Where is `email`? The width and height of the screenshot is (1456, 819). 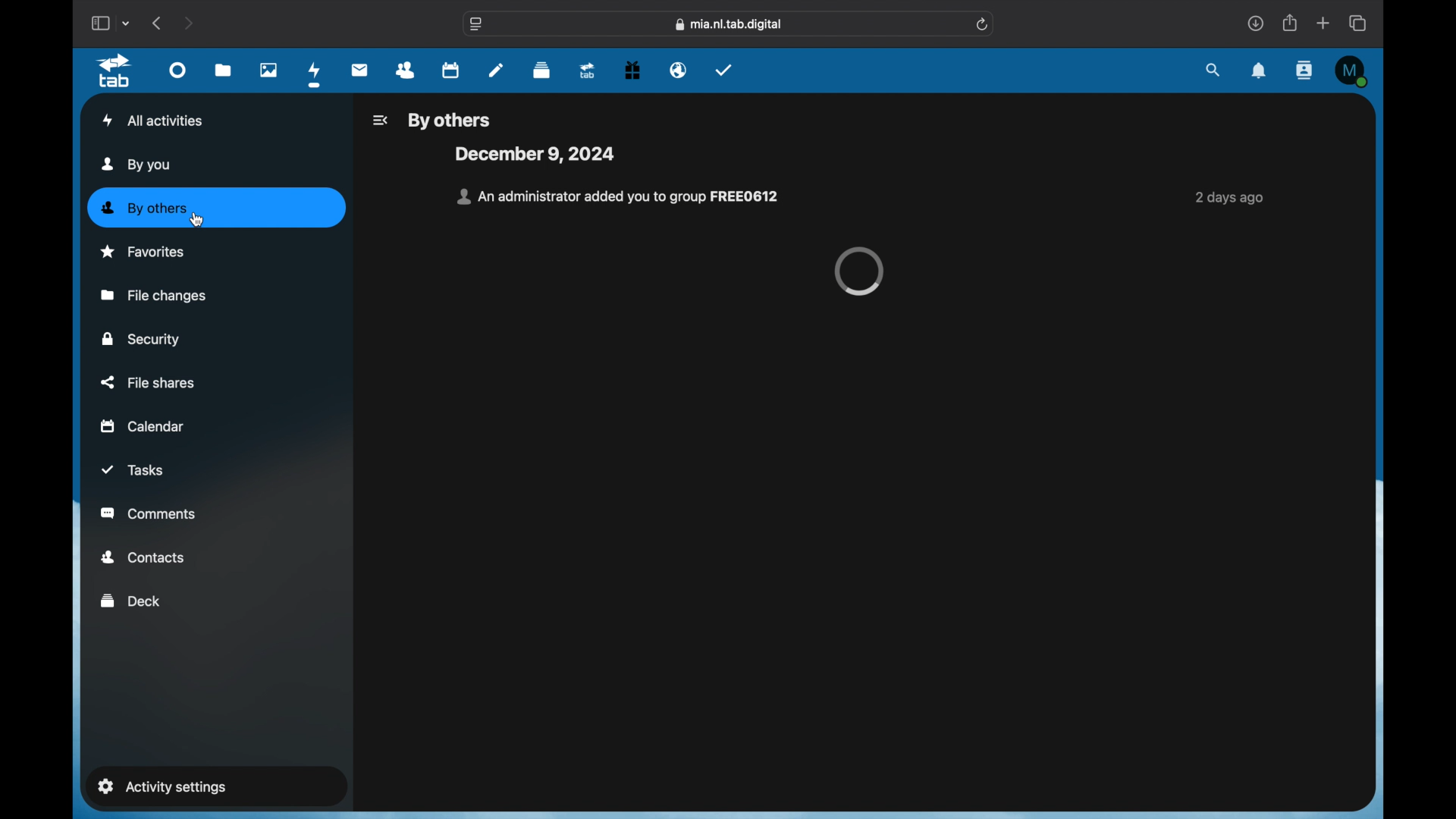 email is located at coordinates (678, 70).